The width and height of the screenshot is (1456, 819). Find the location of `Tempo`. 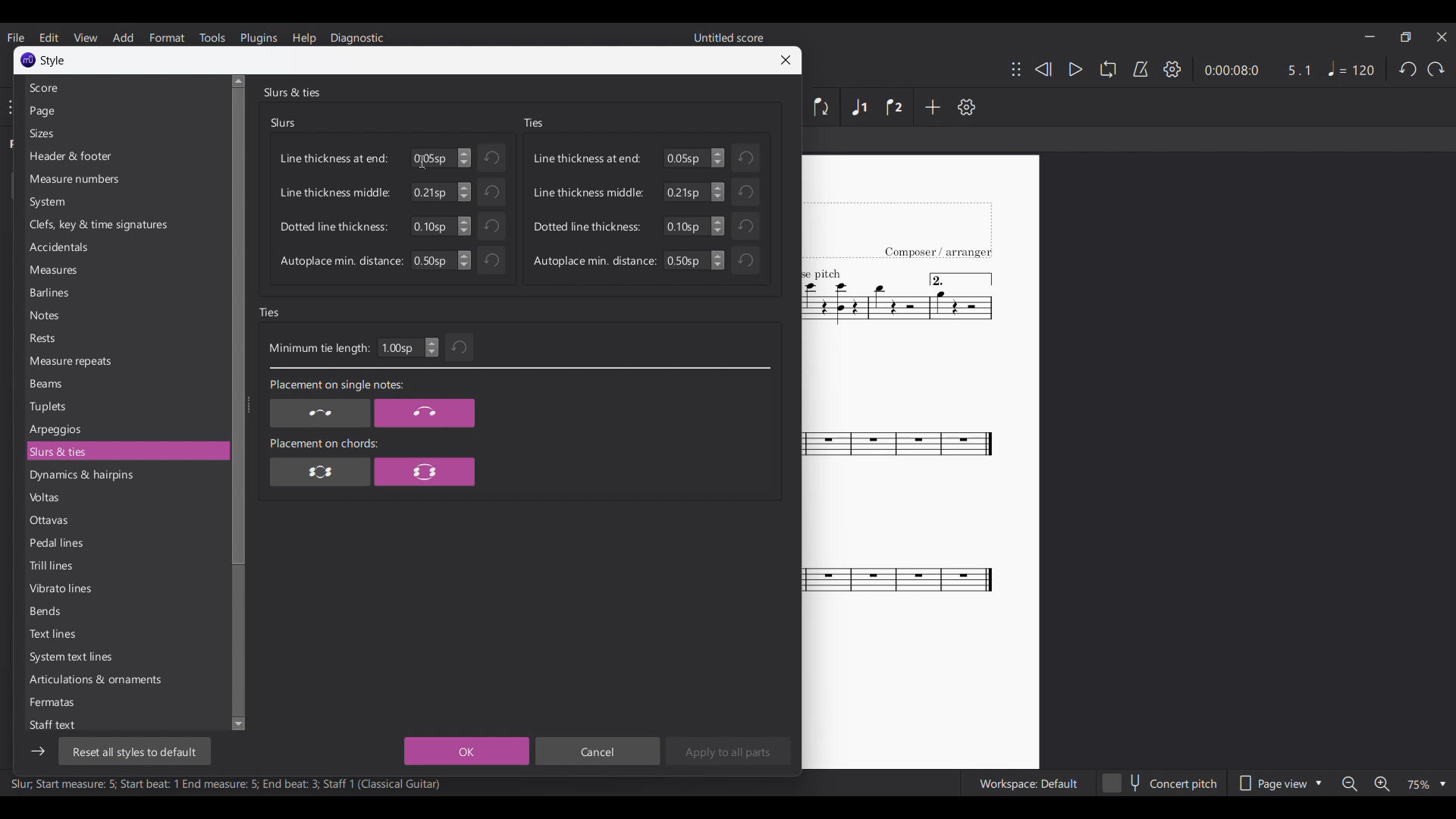

Tempo is located at coordinates (1351, 69).